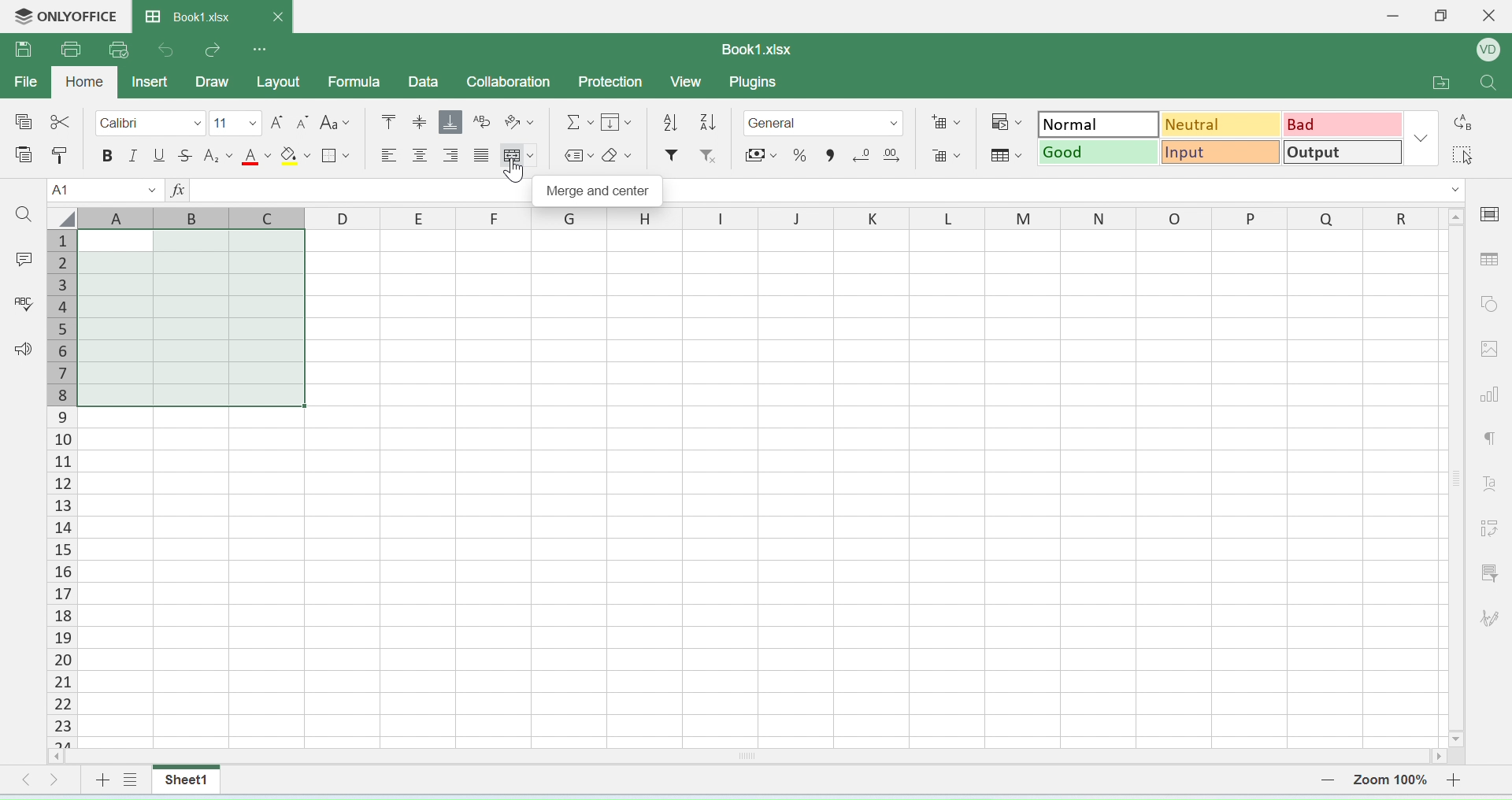 This screenshot has height=800, width=1512. What do you see at coordinates (454, 154) in the screenshot?
I see `align right` at bounding box center [454, 154].